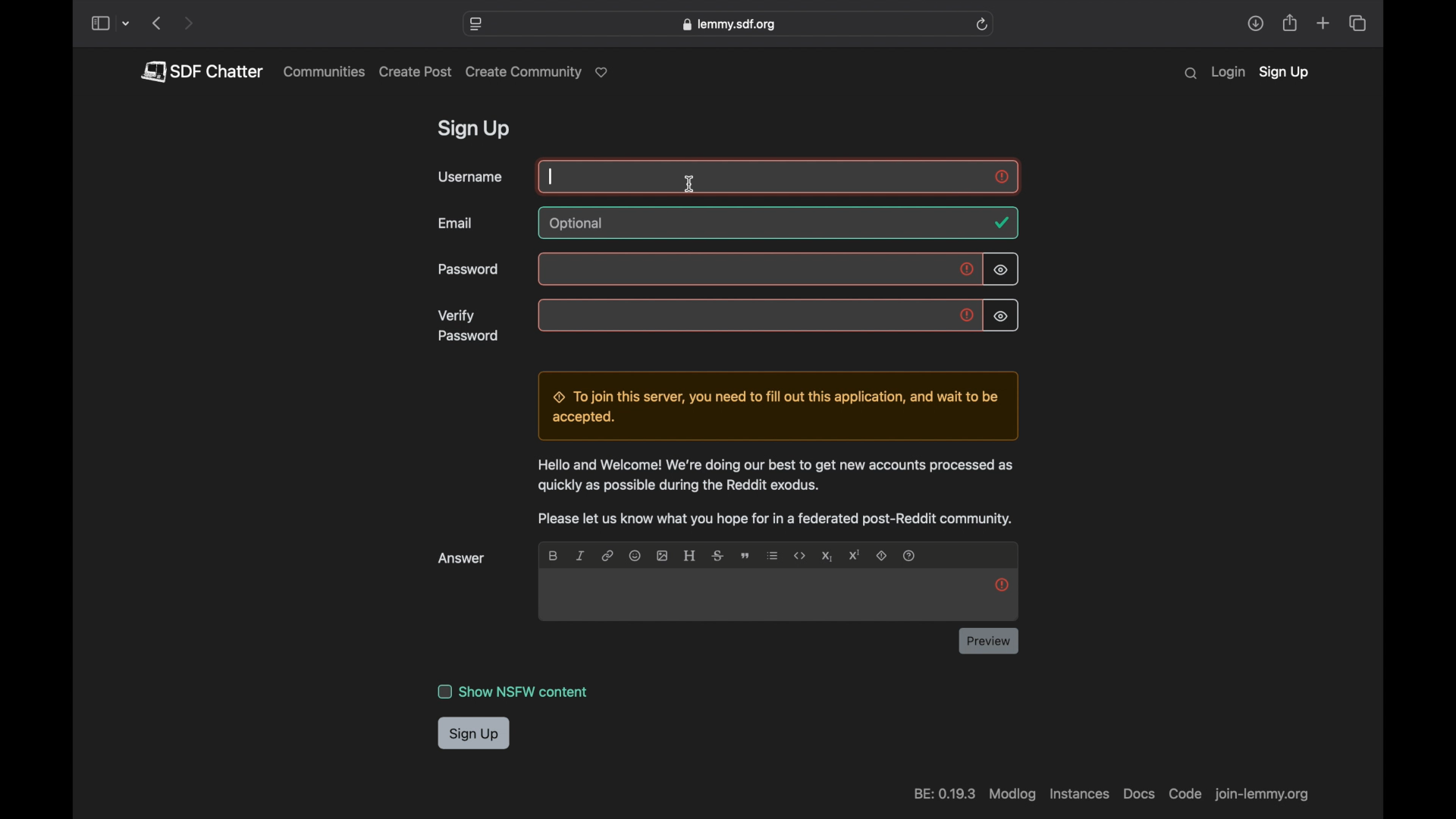 The height and width of the screenshot is (819, 1456). Describe the element at coordinates (127, 24) in the screenshot. I see `tab group picker` at that location.